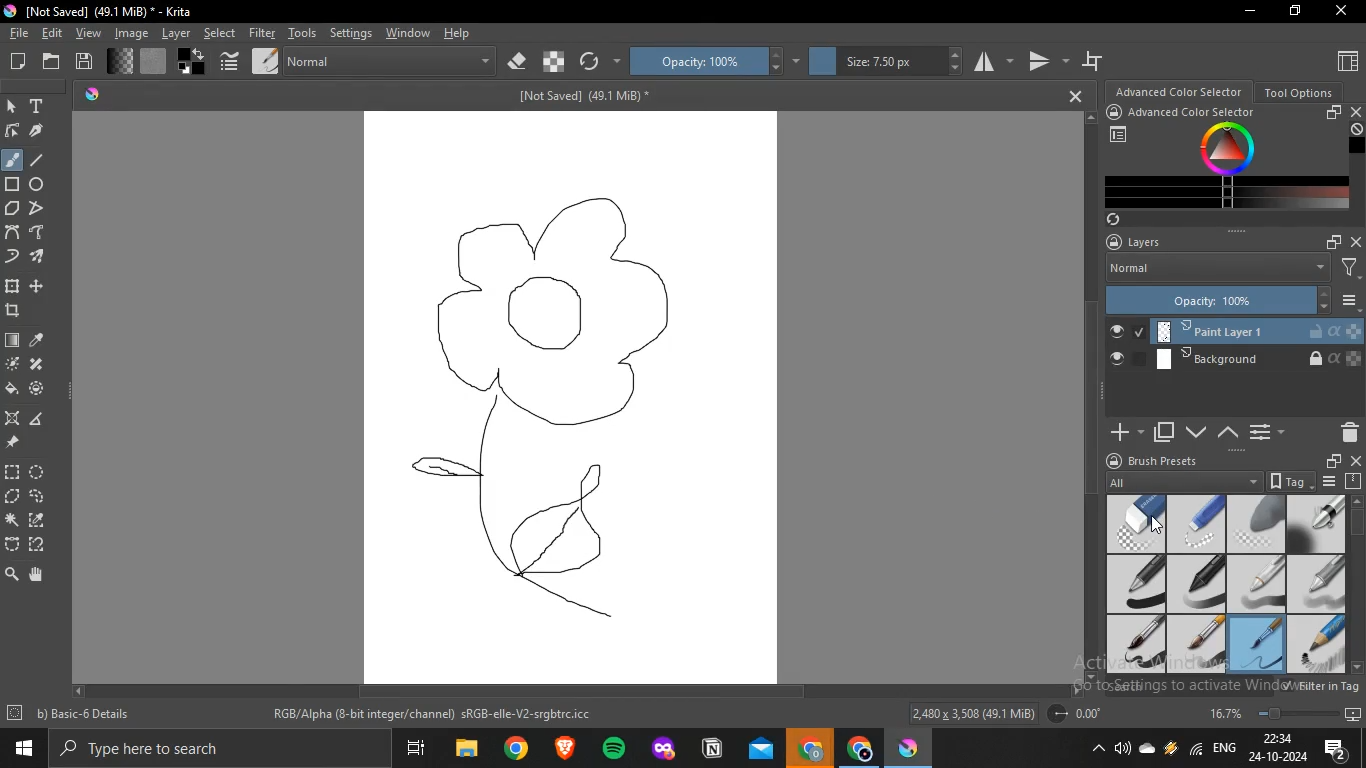 Image resolution: width=1366 pixels, height=768 pixels. Describe the element at coordinates (1070, 95) in the screenshot. I see `Close` at that location.